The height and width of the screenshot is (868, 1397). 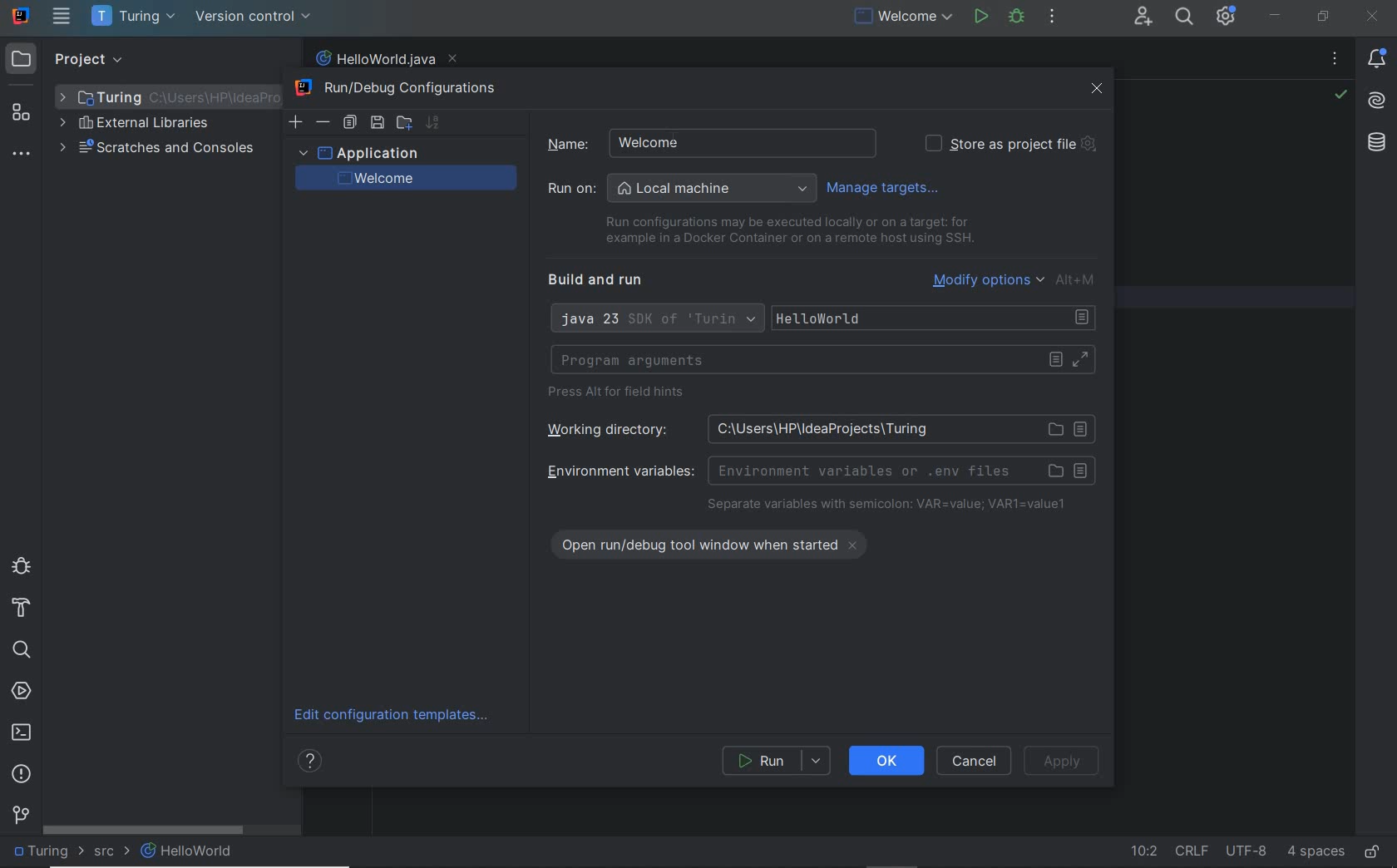 I want to click on COPY CONFIGURATION, so click(x=349, y=123).